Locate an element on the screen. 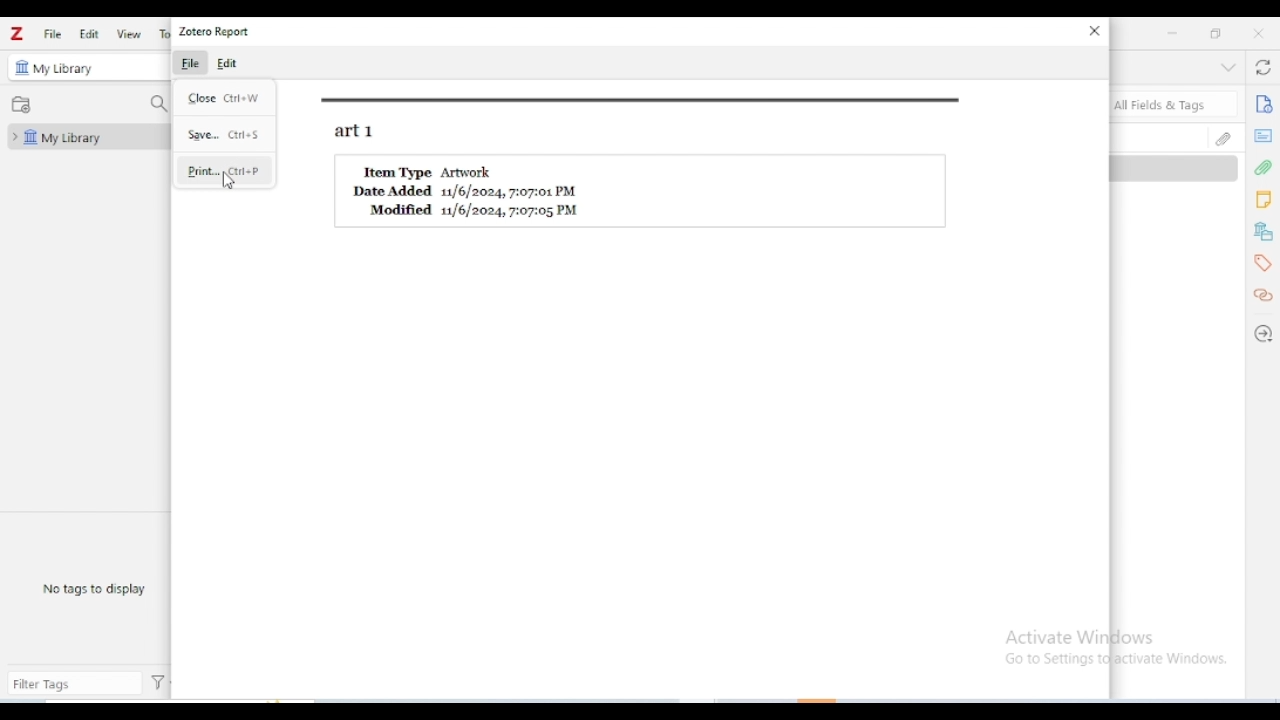 Image resolution: width=1280 pixels, height=720 pixels. libraries and collections is located at coordinates (1264, 232).